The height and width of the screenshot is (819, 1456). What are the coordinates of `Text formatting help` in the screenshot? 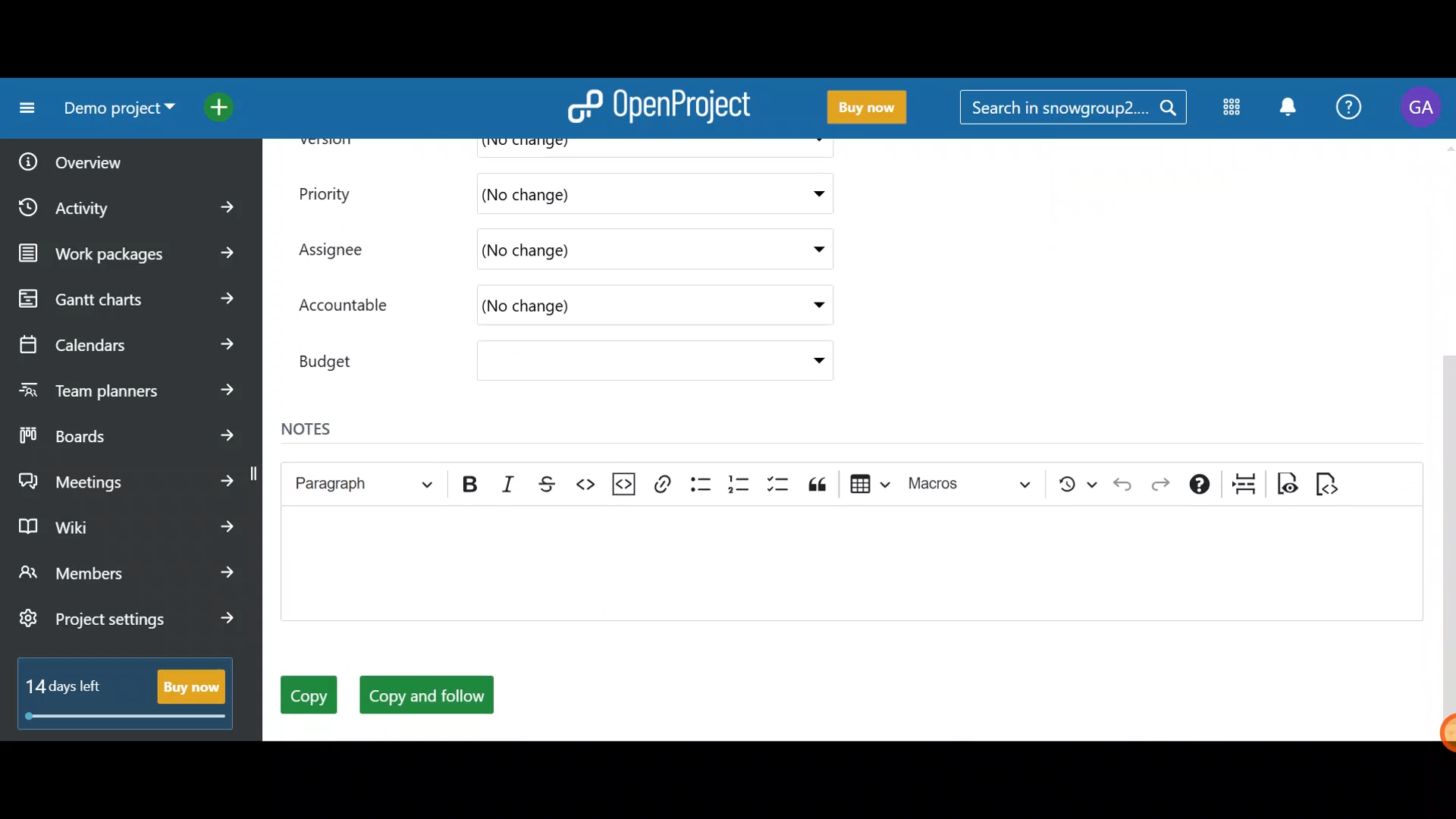 It's located at (1200, 488).